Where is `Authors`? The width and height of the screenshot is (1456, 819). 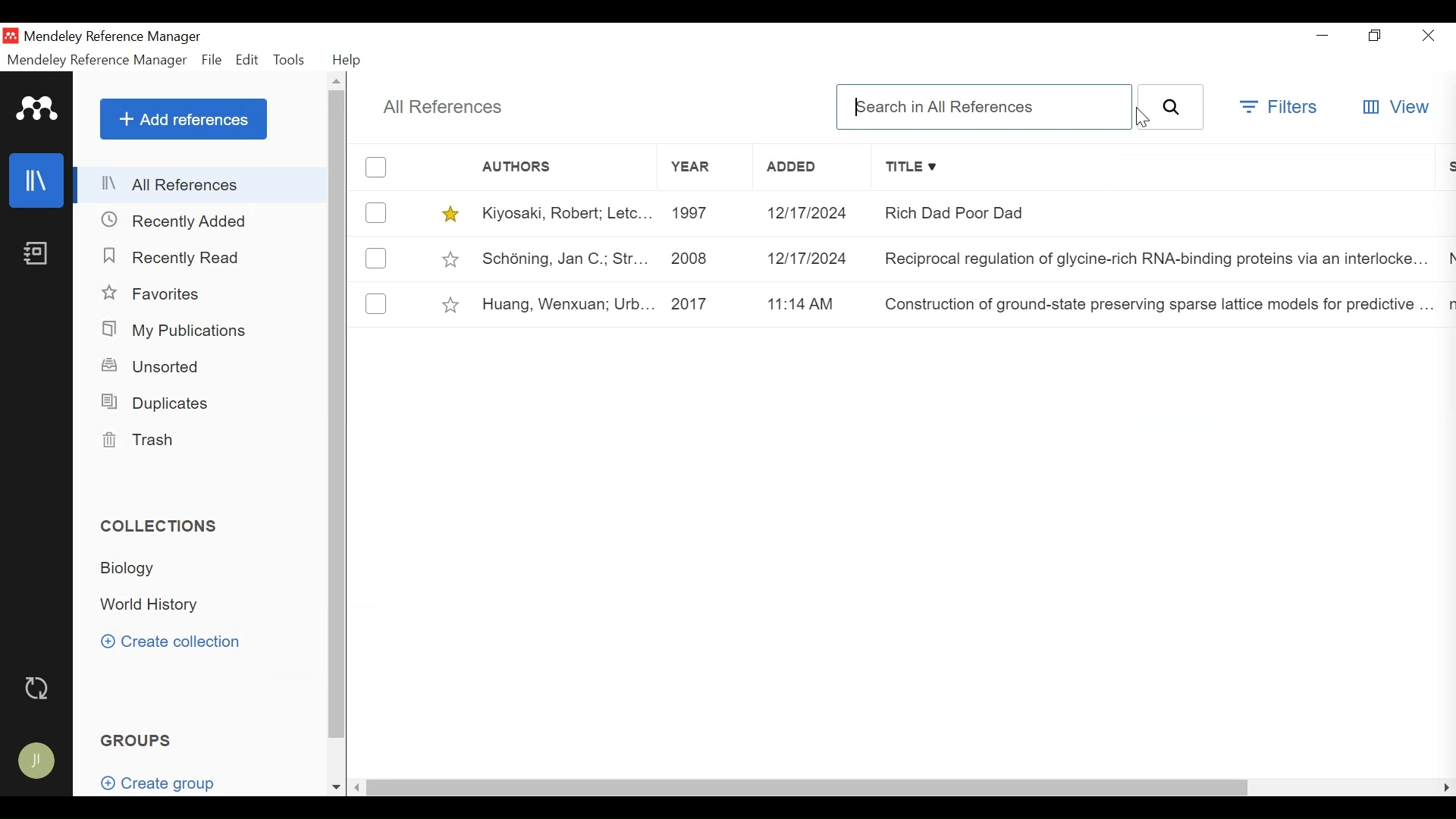
Authors is located at coordinates (532, 167).